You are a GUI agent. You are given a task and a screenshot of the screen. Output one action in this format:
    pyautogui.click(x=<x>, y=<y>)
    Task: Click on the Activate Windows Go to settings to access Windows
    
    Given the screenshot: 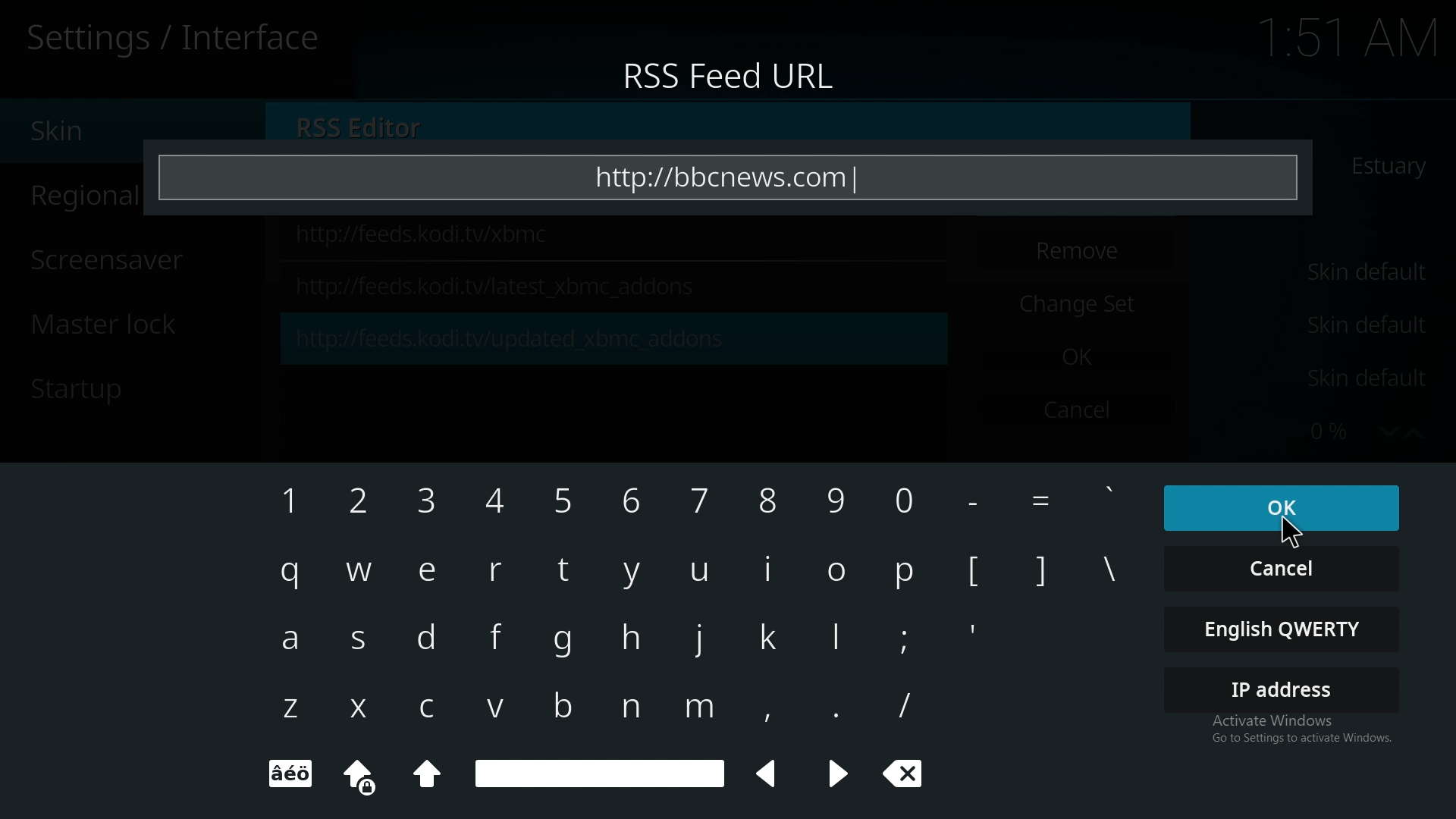 What is the action you would take?
    pyautogui.click(x=1285, y=739)
    